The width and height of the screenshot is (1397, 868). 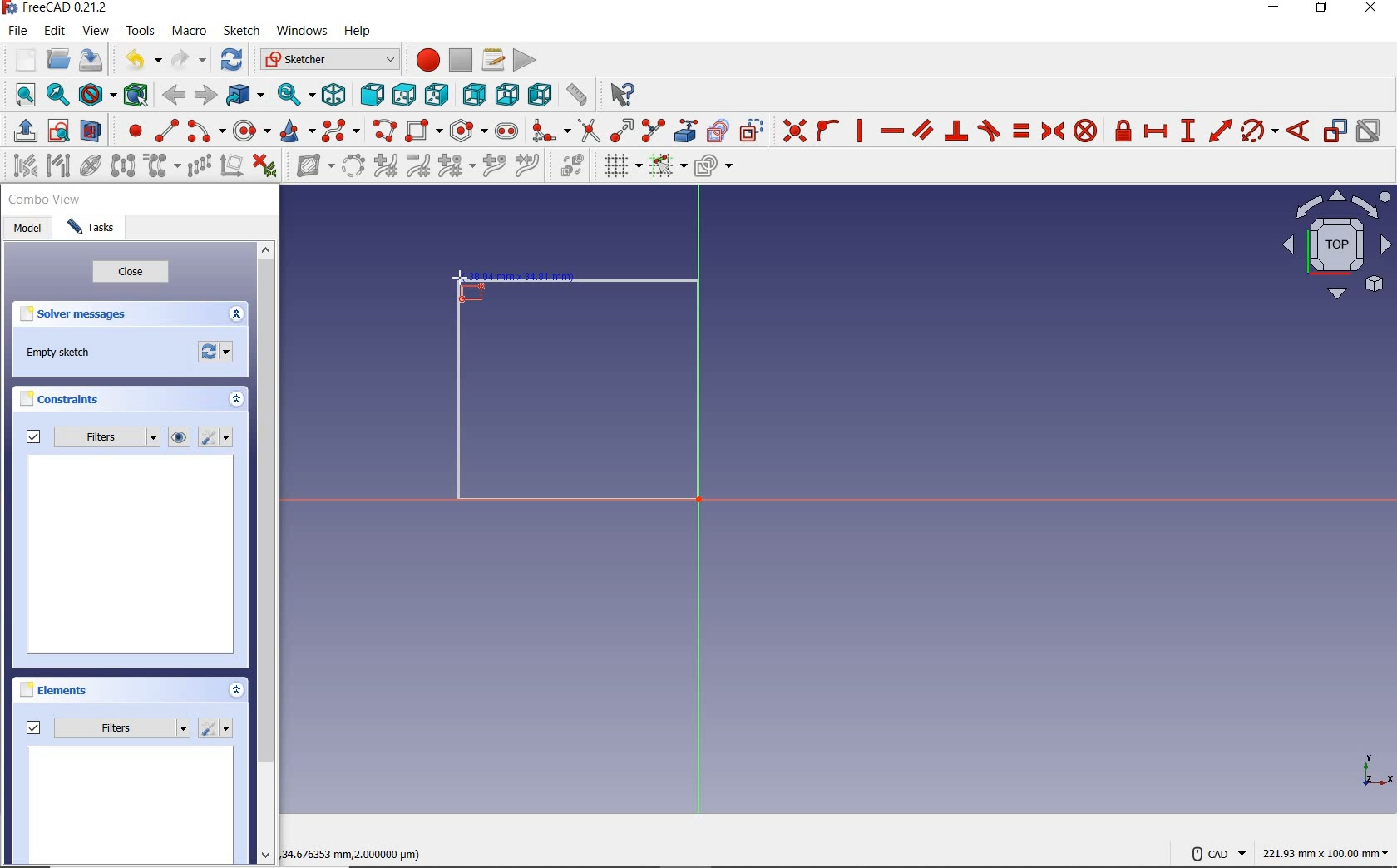 What do you see at coordinates (164, 130) in the screenshot?
I see `create line` at bounding box center [164, 130].